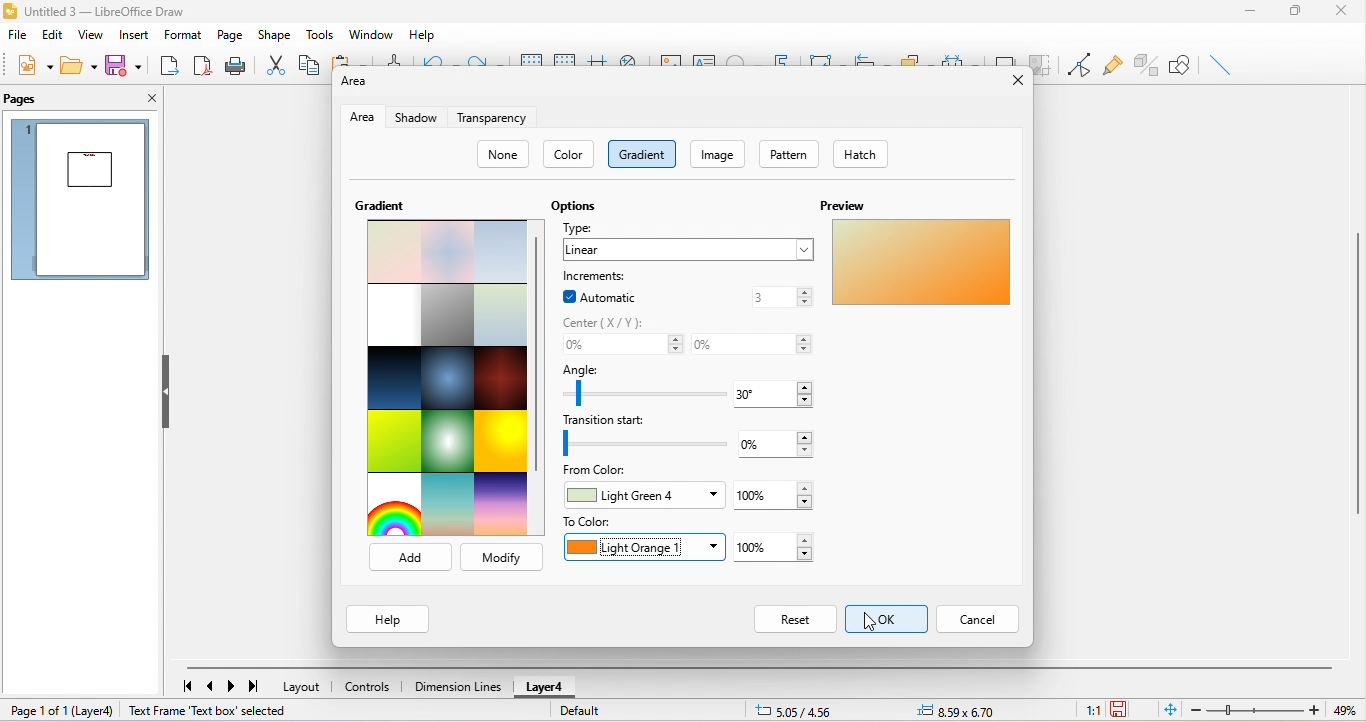  What do you see at coordinates (11, 10) in the screenshot?
I see `libre office draw logo` at bounding box center [11, 10].